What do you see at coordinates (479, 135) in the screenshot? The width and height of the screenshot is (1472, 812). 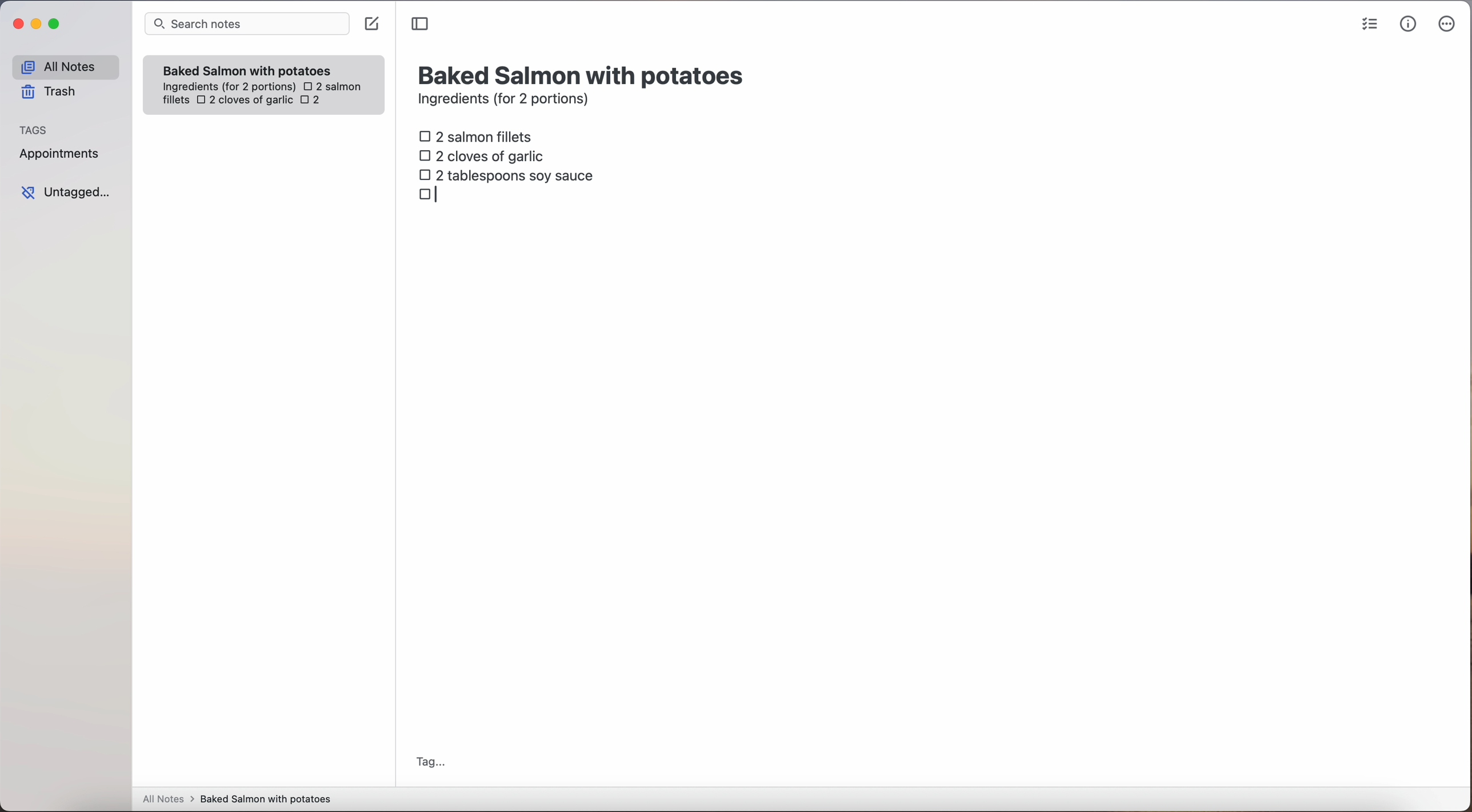 I see `2 salmon fillets` at bounding box center [479, 135].